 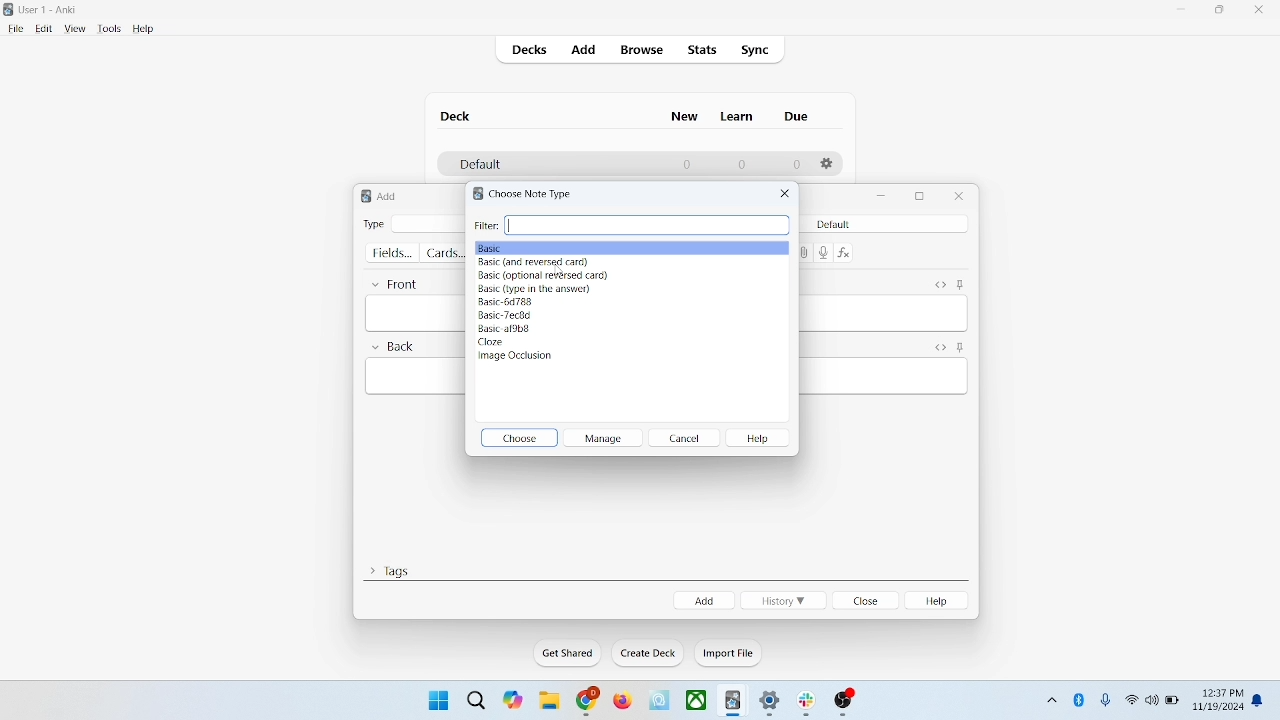 I want to click on cloze, so click(x=492, y=343).